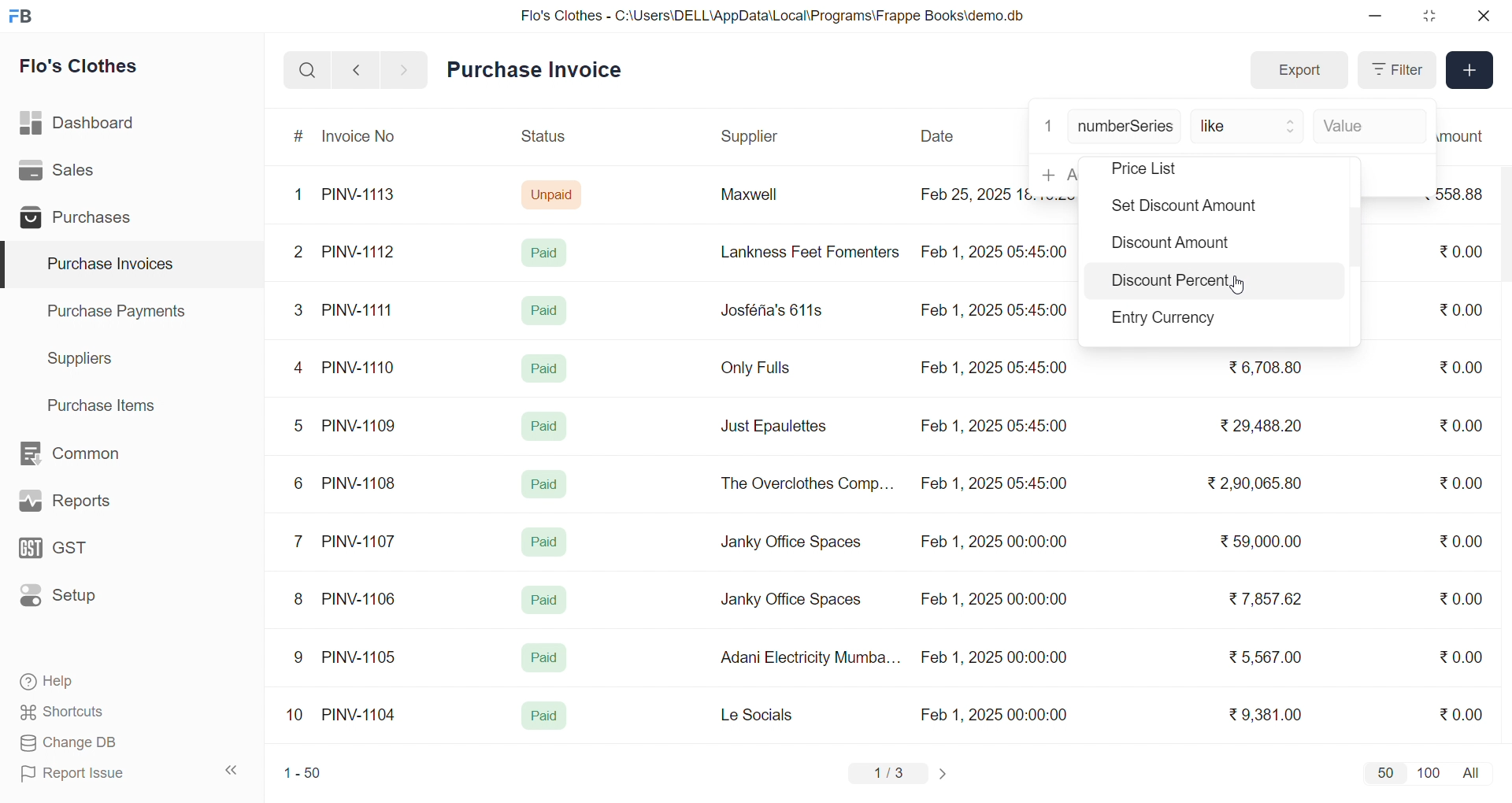 The height and width of the screenshot is (803, 1512). Describe the element at coordinates (792, 543) in the screenshot. I see `Janky Office Spaces` at that location.